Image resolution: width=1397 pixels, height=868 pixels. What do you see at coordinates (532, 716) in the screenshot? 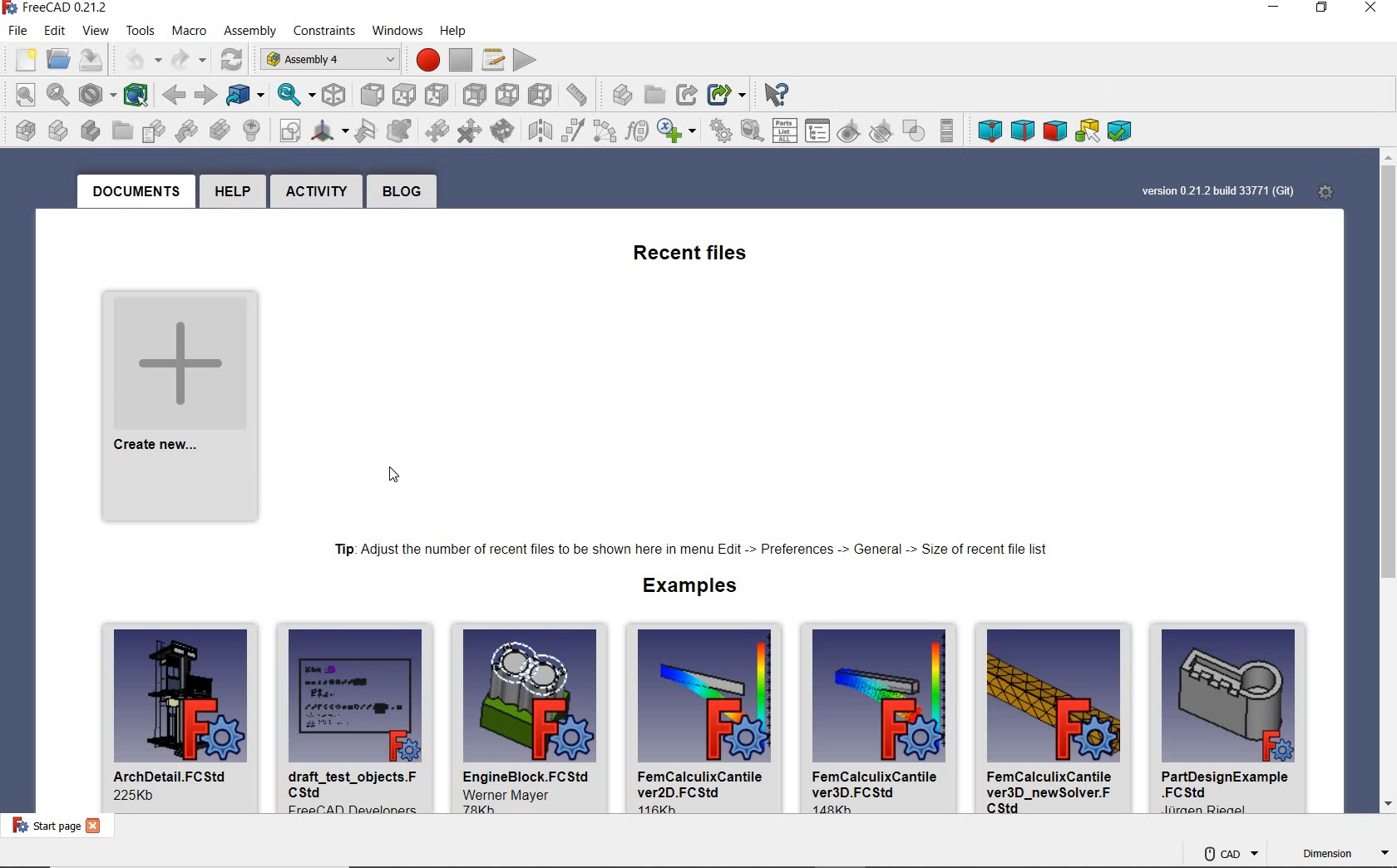
I see `EngineBlock` at bounding box center [532, 716].